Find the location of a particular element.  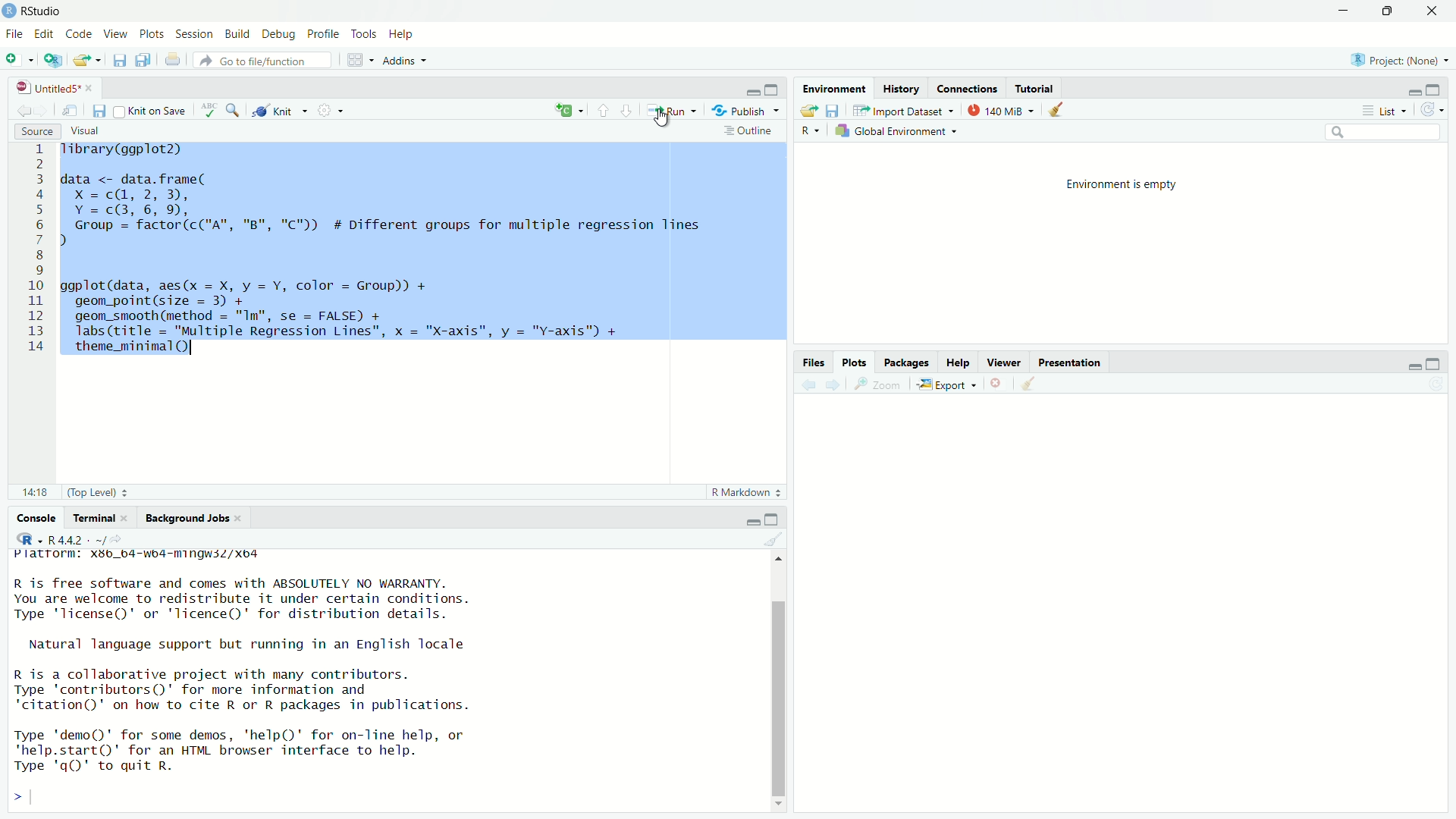

Tools is located at coordinates (366, 35).